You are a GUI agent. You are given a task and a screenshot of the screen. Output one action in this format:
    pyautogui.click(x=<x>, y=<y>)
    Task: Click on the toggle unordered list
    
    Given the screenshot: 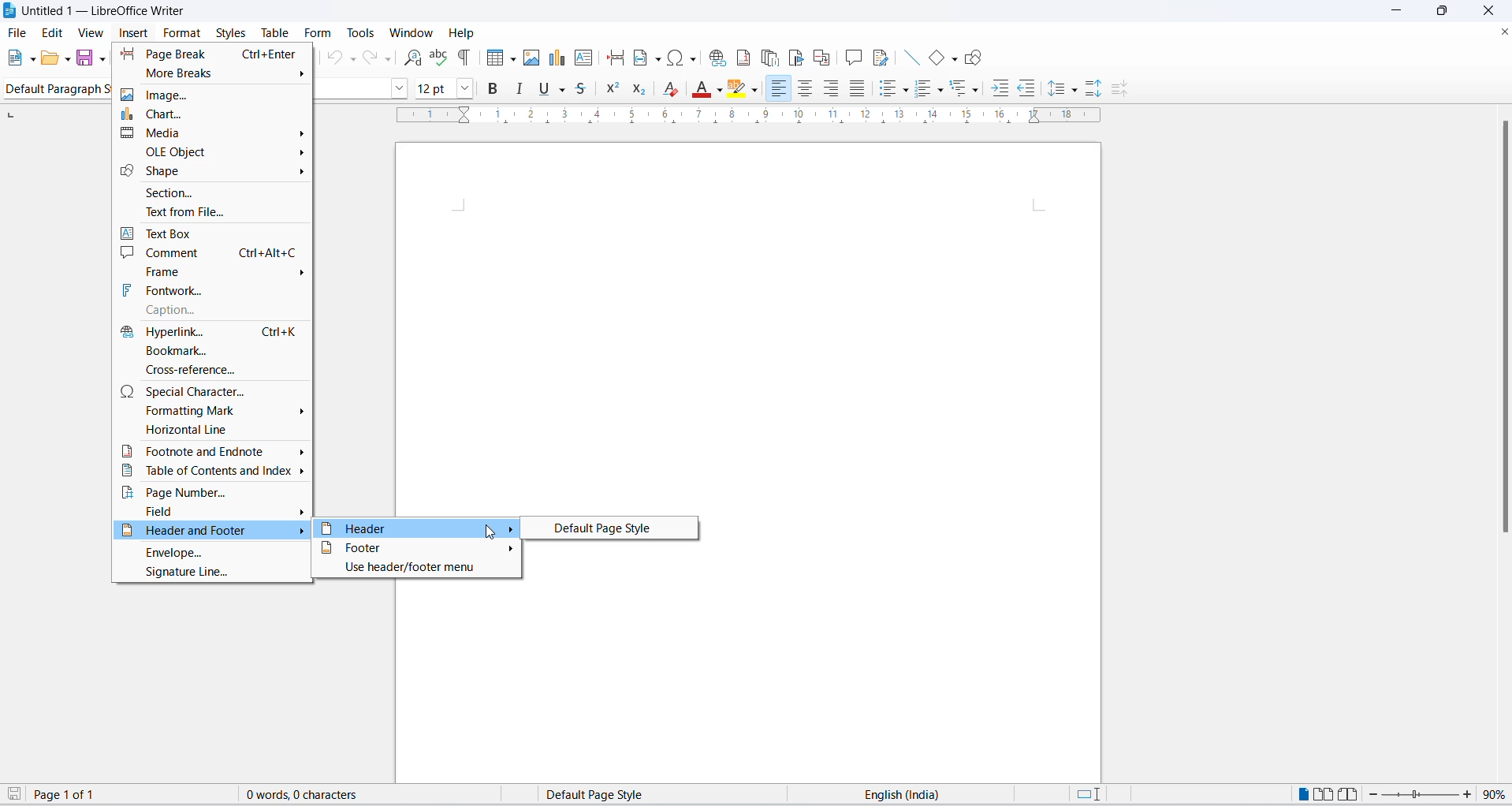 What is the action you would take?
    pyautogui.click(x=884, y=89)
    